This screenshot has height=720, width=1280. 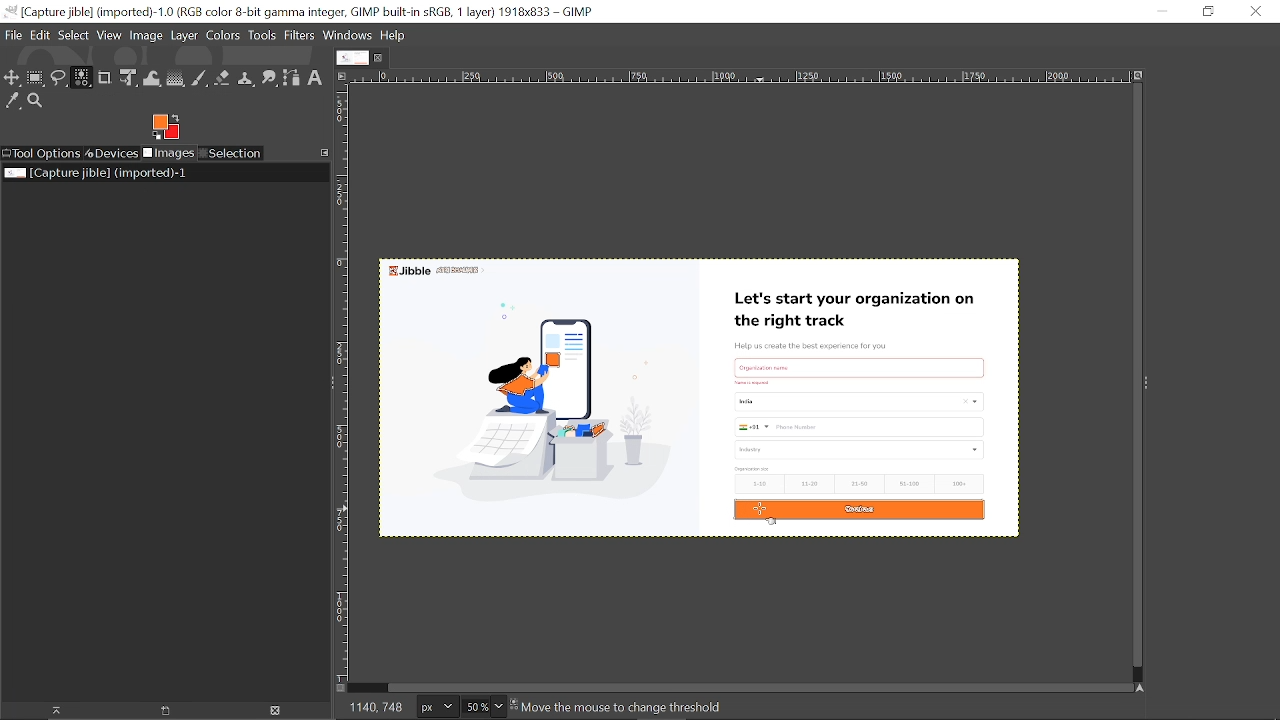 What do you see at coordinates (474, 707) in the screenshot?
I see `Current zoom` at bounding box center [474, 707].